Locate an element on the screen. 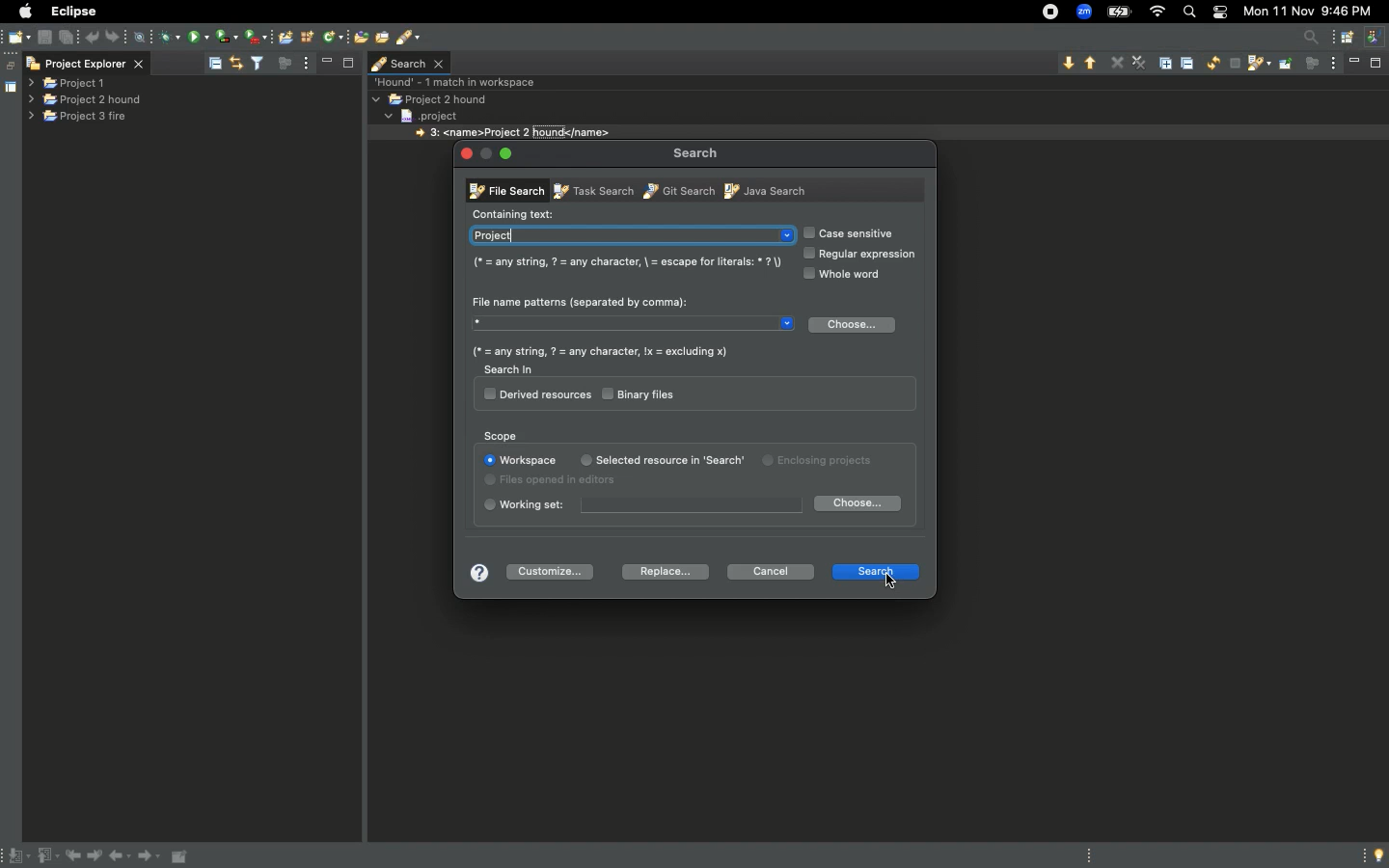 The height and width of the screenshot is (868, 1389). Previous edit location is located at coordinates (76, 856).